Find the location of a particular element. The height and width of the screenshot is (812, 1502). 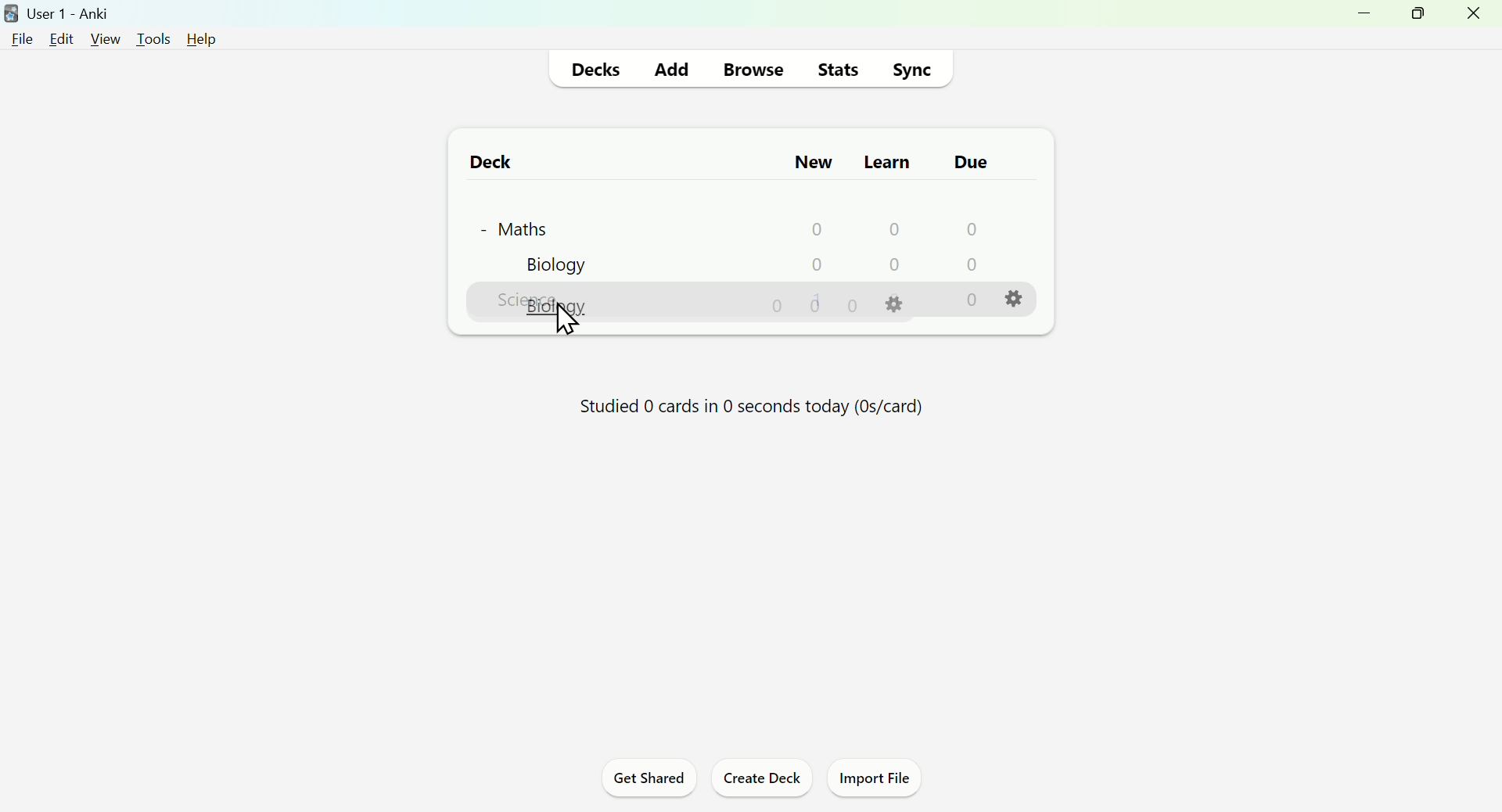

Browse is located at coordinates (751, 67).